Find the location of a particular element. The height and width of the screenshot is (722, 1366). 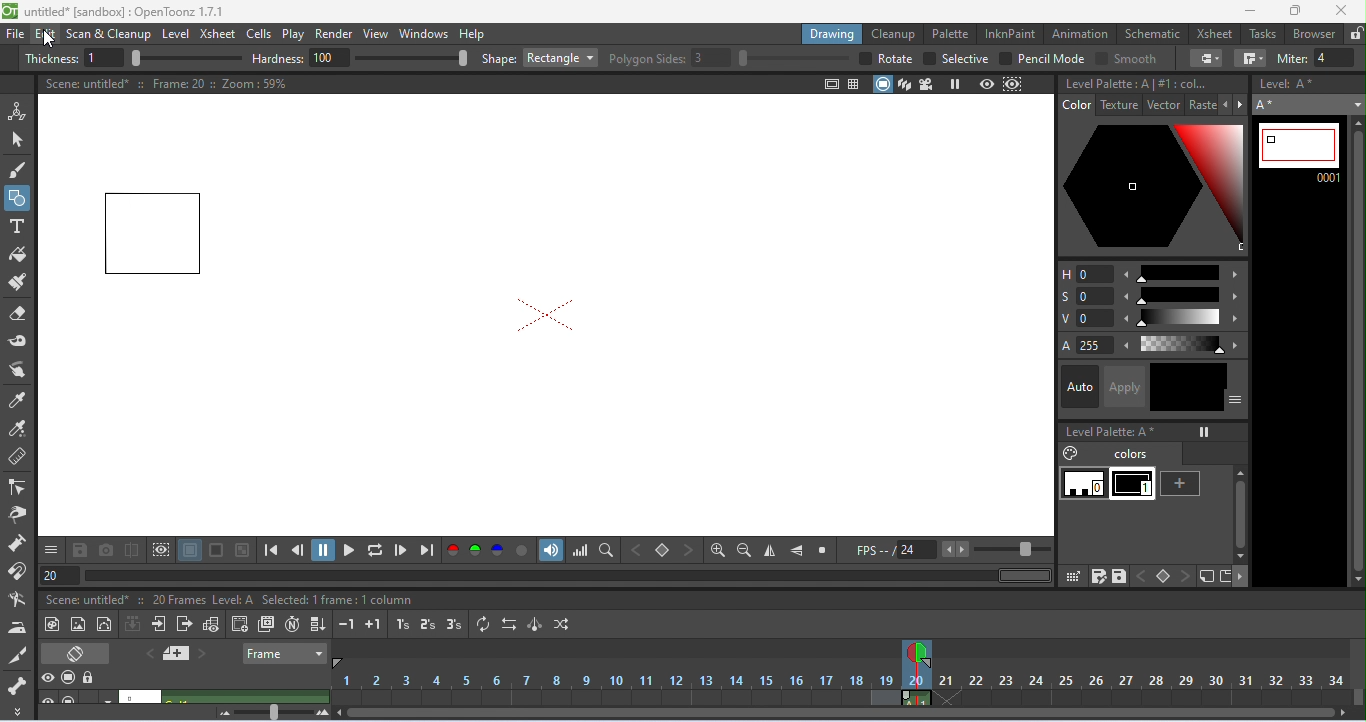

sub camera preview is located at coordinates (1012, 84).